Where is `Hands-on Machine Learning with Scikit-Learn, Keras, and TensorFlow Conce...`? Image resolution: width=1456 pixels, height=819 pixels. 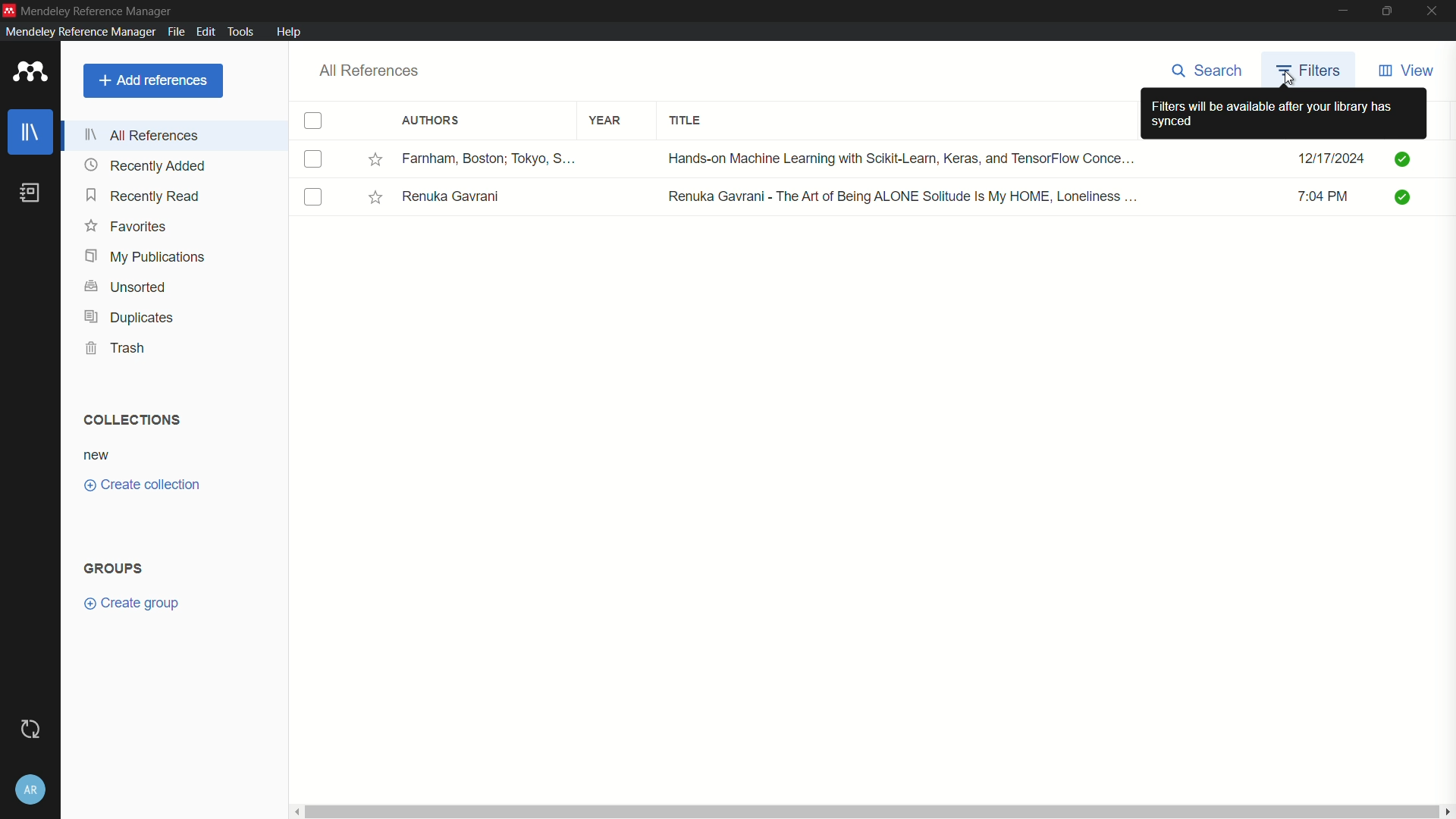
Hands-on Machine Learning with Scikit-Learn, Keras, and TensorFlow Conce... is located at coordinates (904, 158).